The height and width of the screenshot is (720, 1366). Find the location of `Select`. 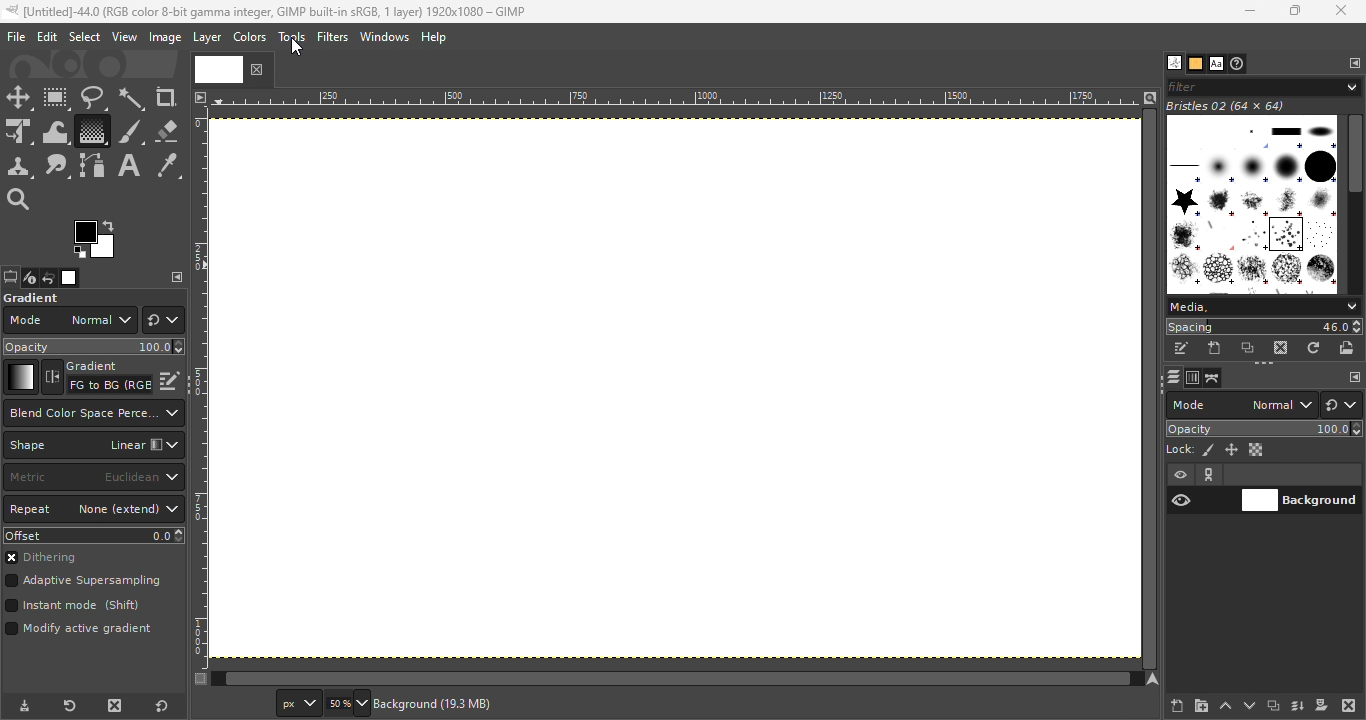

Select is located at coordinates (84, 36).